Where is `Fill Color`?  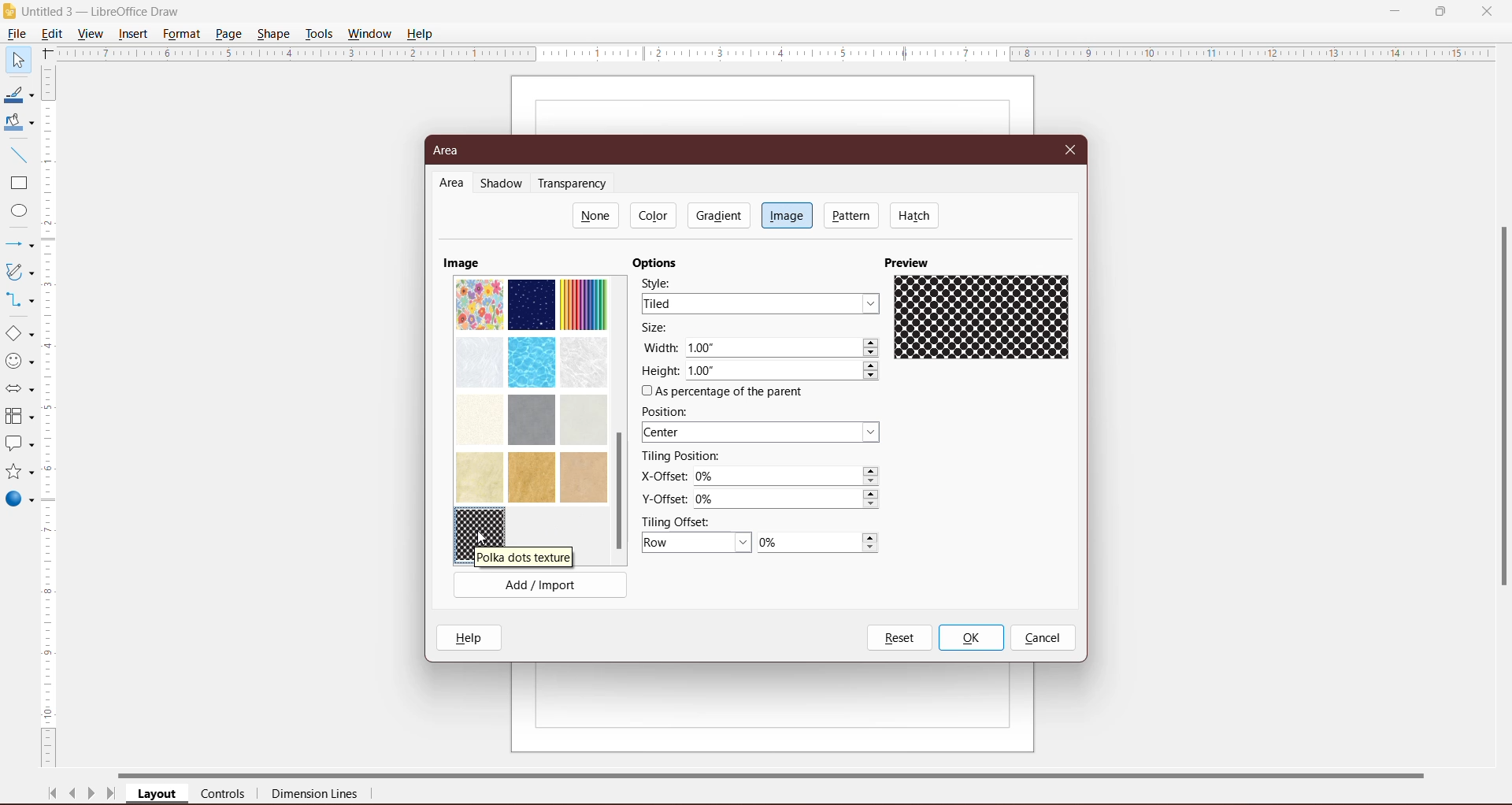 Fill Color is located at coordinates (16, 123).